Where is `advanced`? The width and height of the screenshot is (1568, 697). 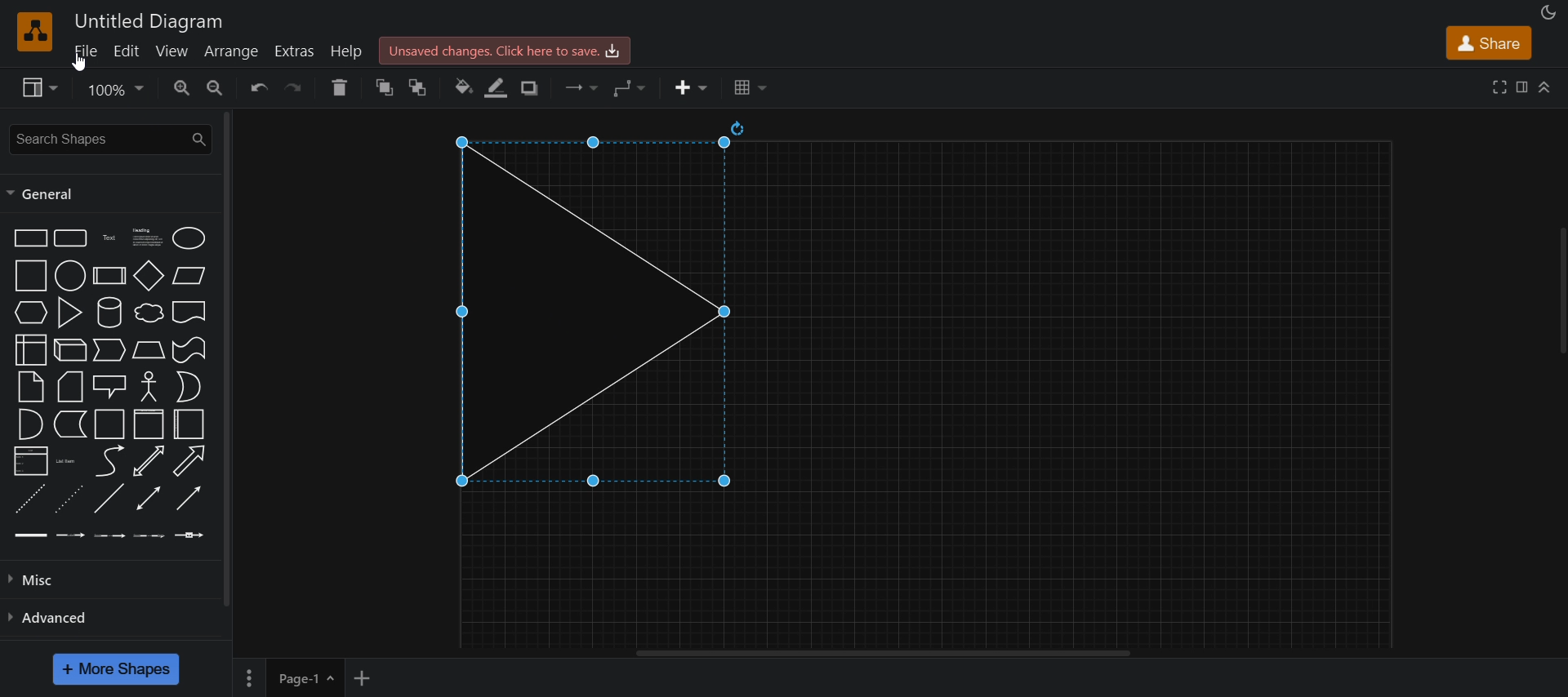 advanced is located at coordinates (105, 616).